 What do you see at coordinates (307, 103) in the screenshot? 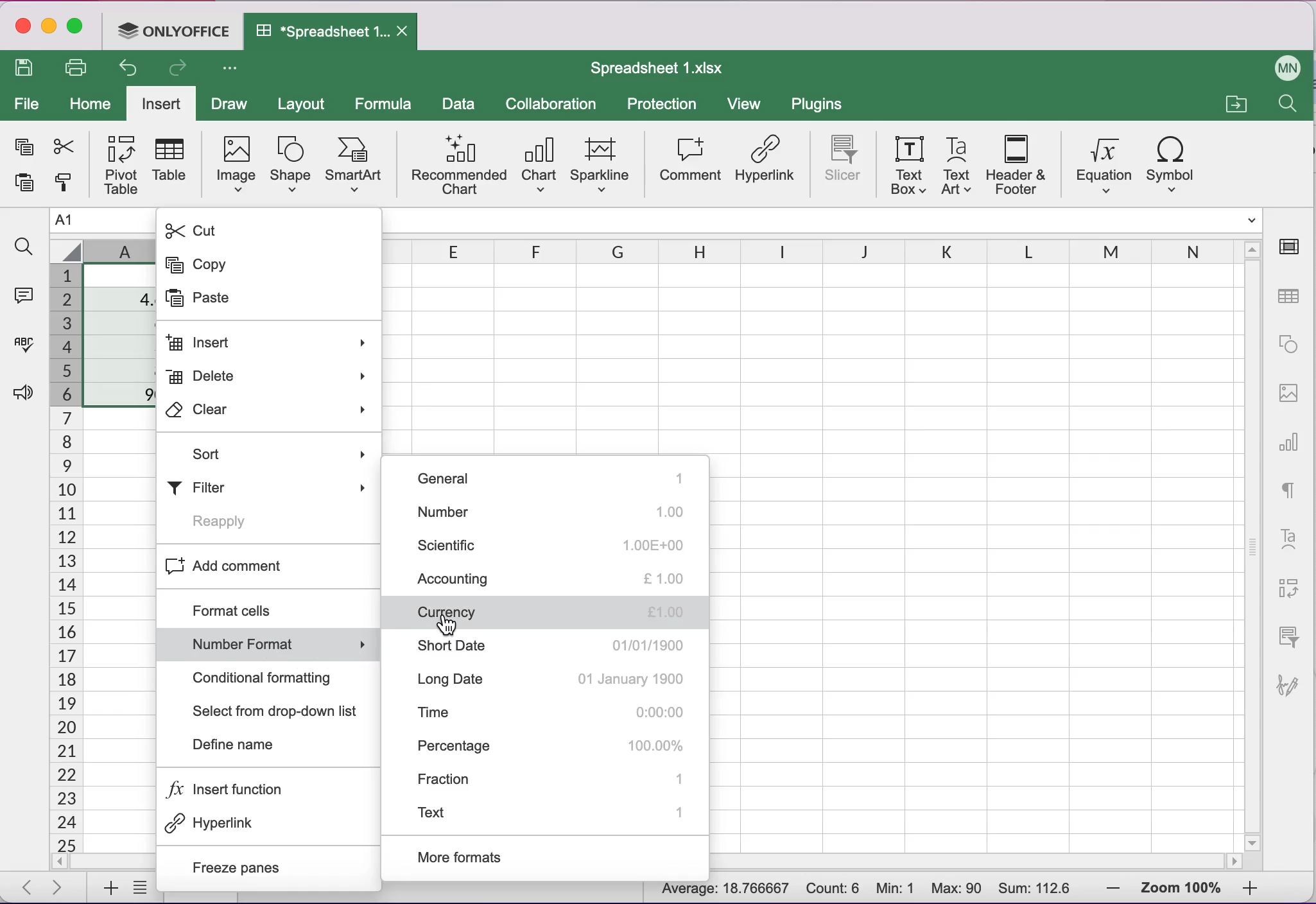
I see `layout` at bounding box center [307, 103].